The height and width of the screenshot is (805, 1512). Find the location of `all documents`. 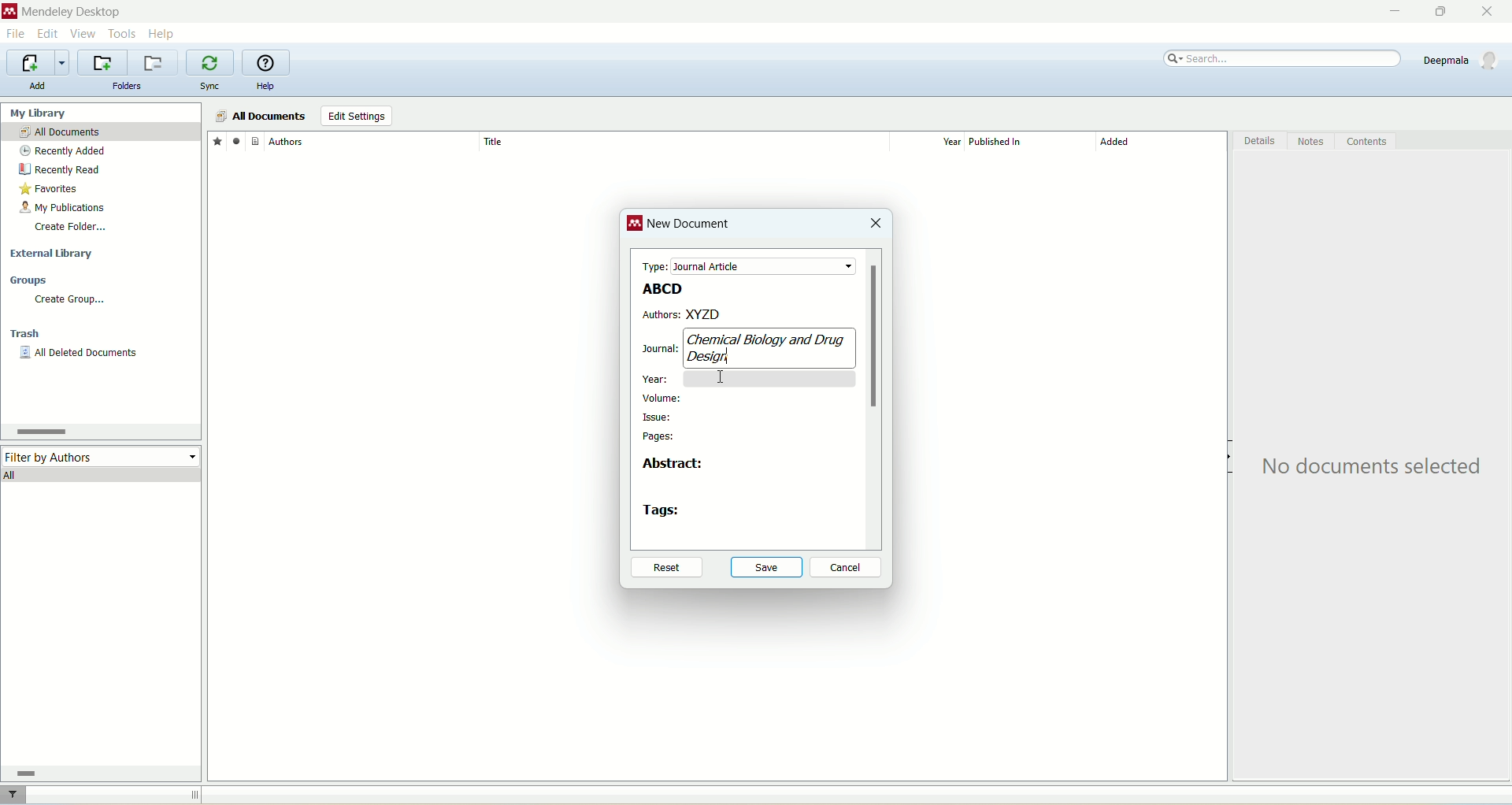

all documents is located at coordinates (101, 132).